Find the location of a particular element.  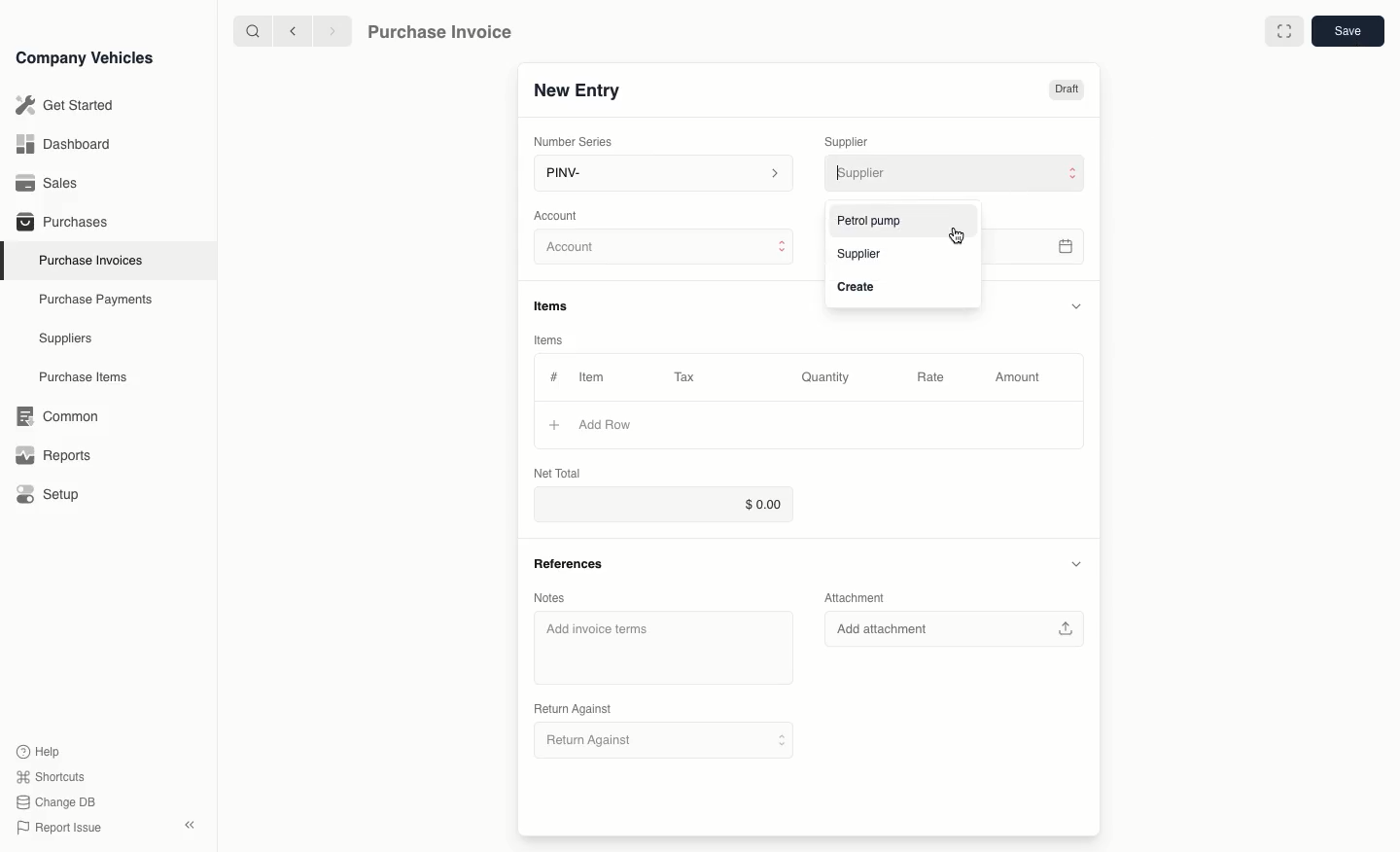

Tax is located at coordinates (693, 378).